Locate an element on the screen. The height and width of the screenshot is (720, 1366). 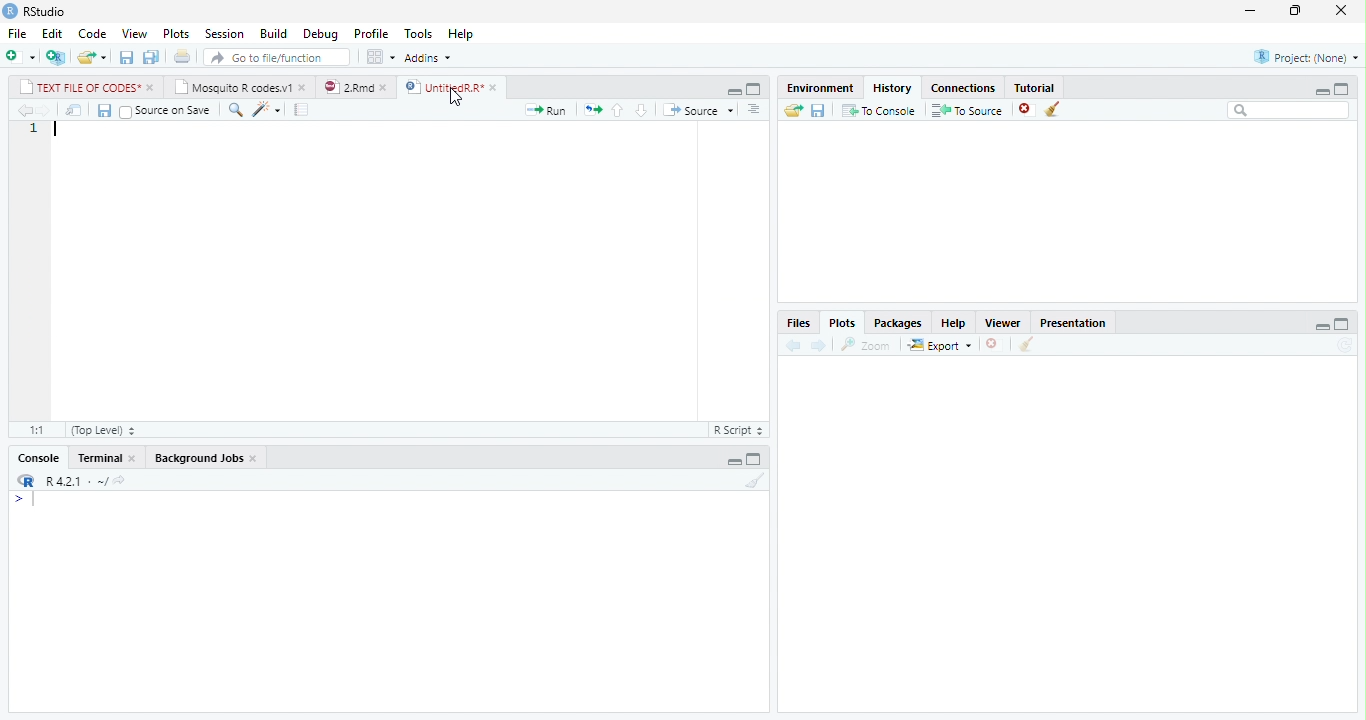
compile report is located at coordinates (301, 110).